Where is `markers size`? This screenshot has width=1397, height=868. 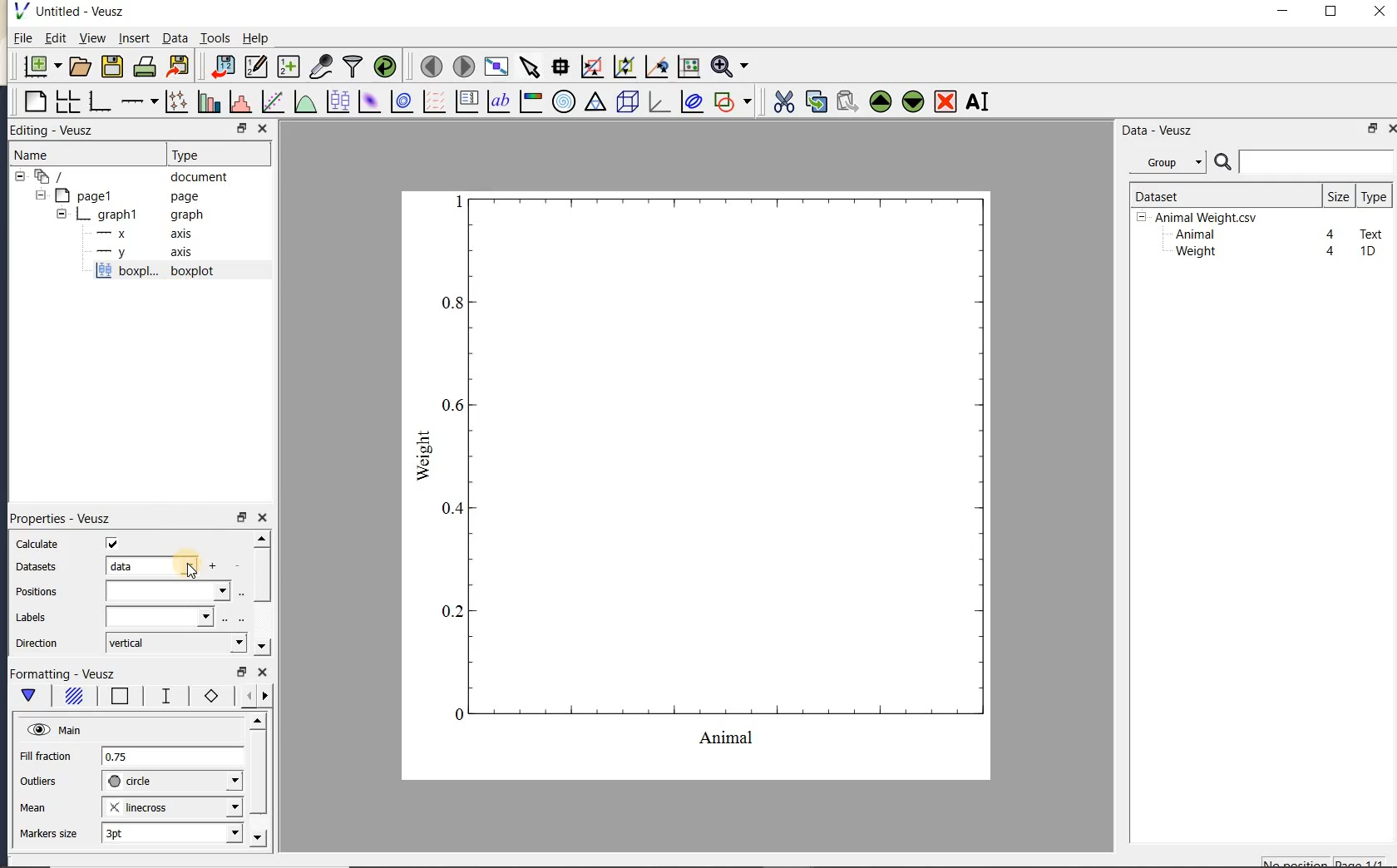
markers size is located at coordinates (51, 834).